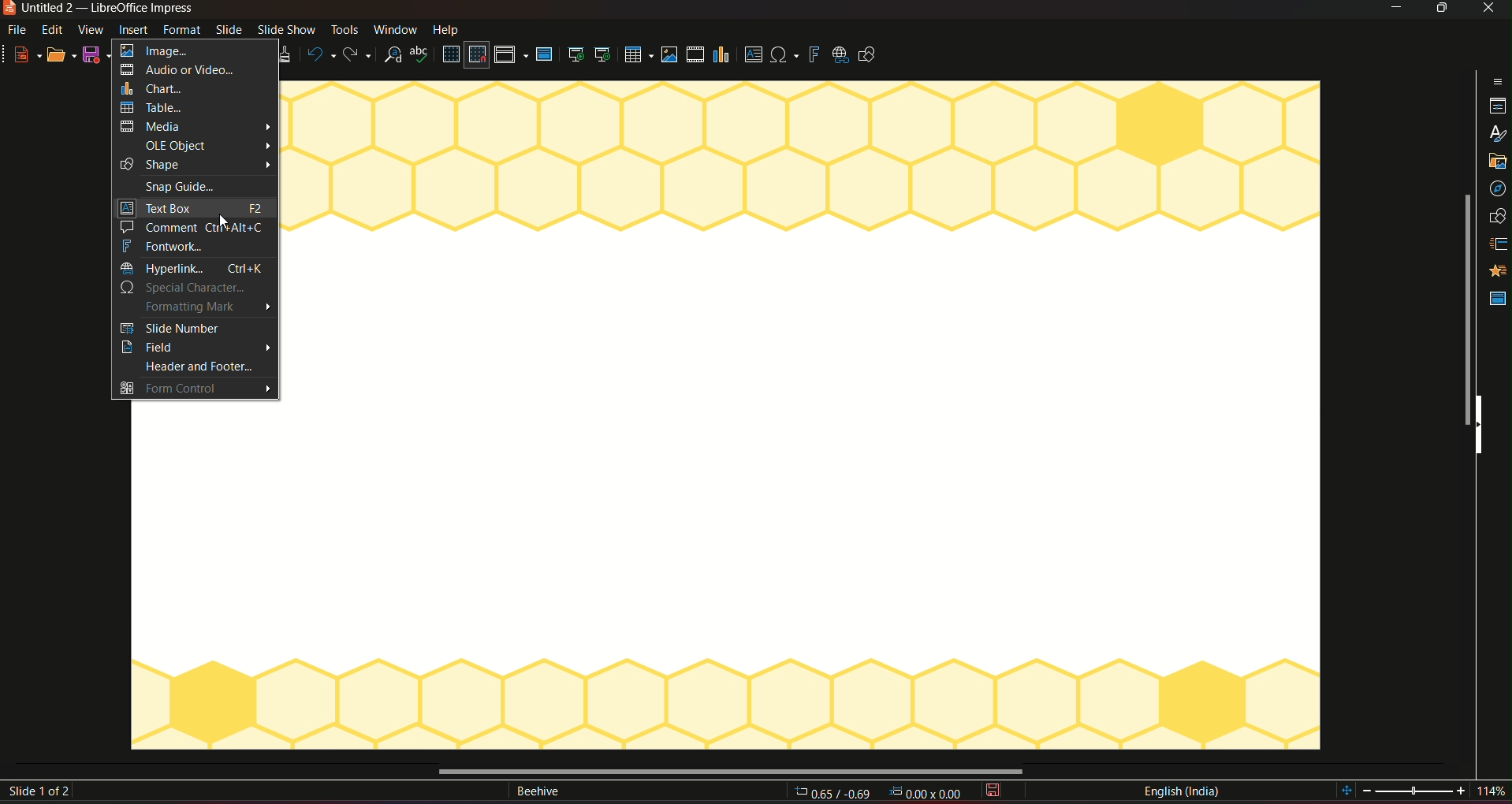 The width and height of the screenshot is (1512, 804). I want to click on text box F2, so click(194, 207).